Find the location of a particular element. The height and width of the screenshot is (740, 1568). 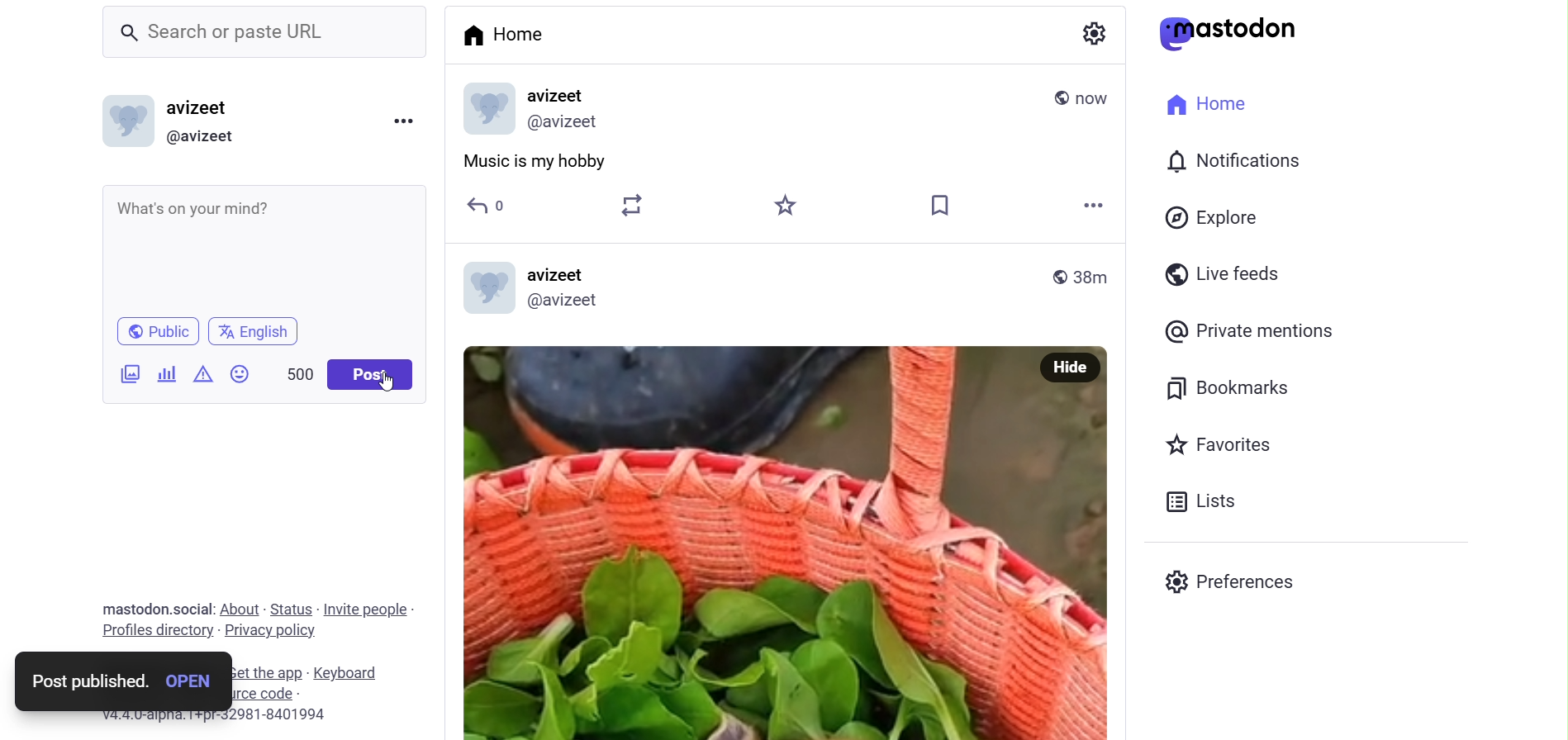

Add Poll is located at coordinates (167, 372).